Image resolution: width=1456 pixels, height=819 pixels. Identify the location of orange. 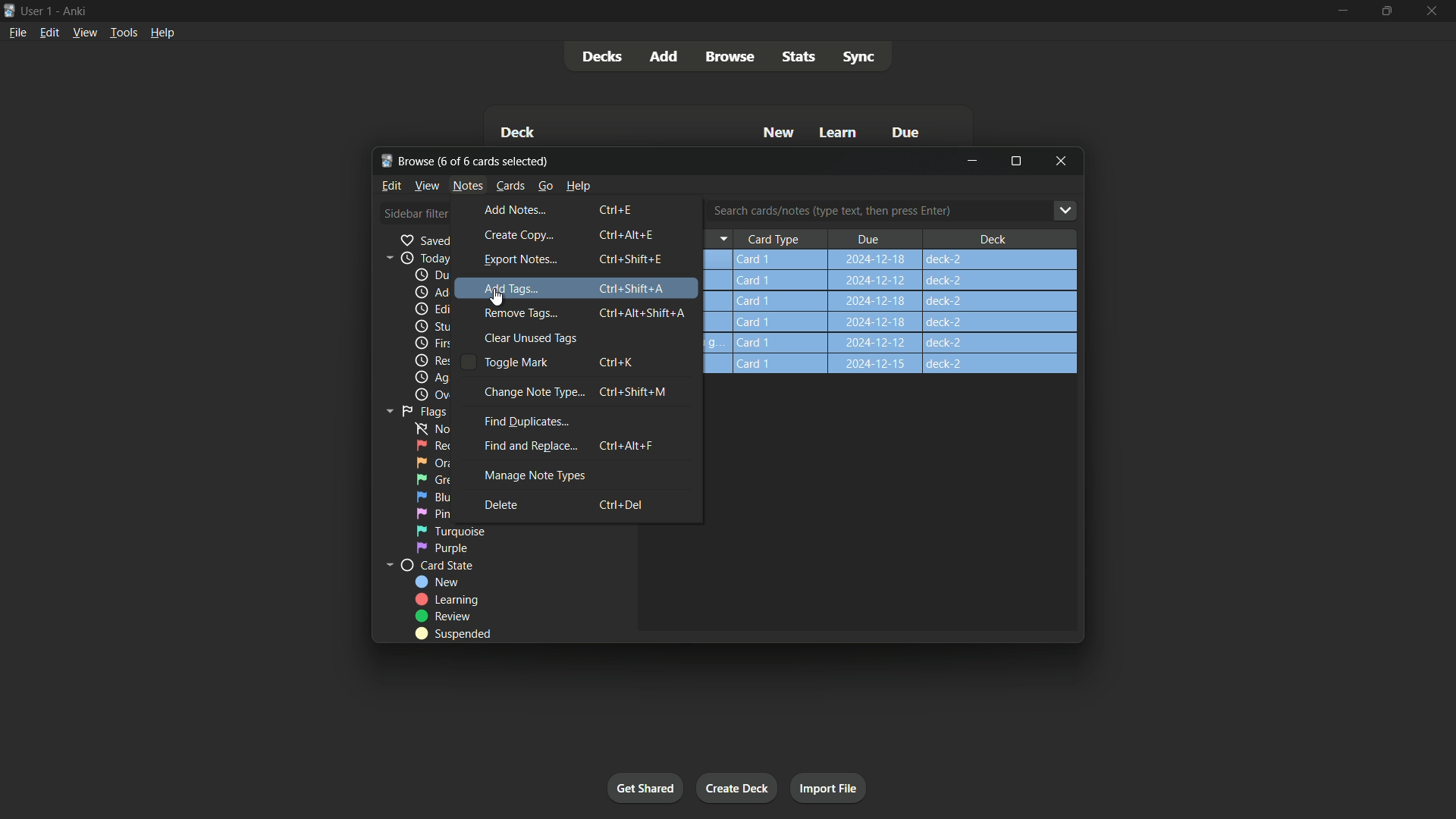
(445, 462).